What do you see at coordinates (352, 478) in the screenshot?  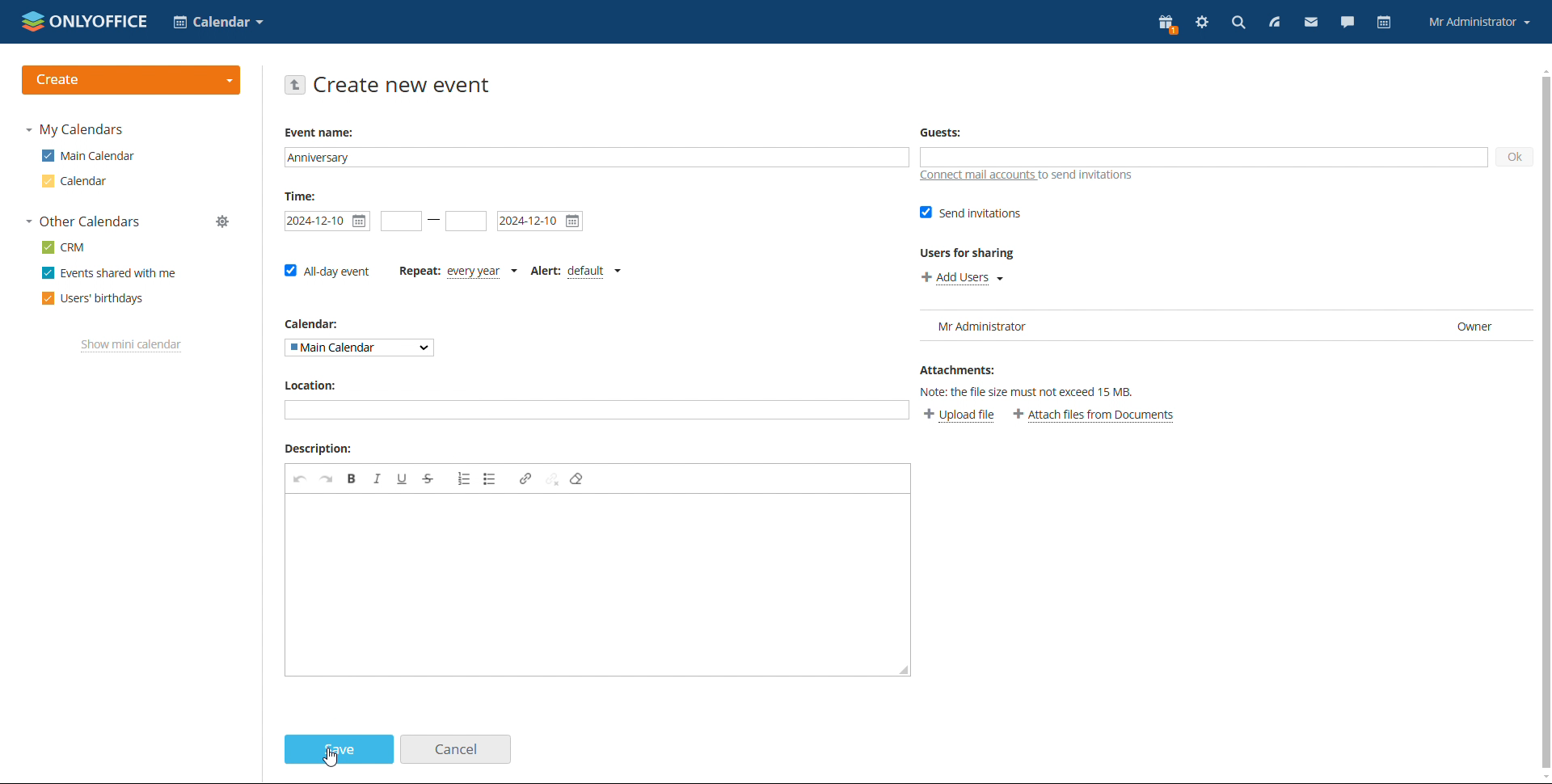 I see `bold` at bounding box center [352, 478].